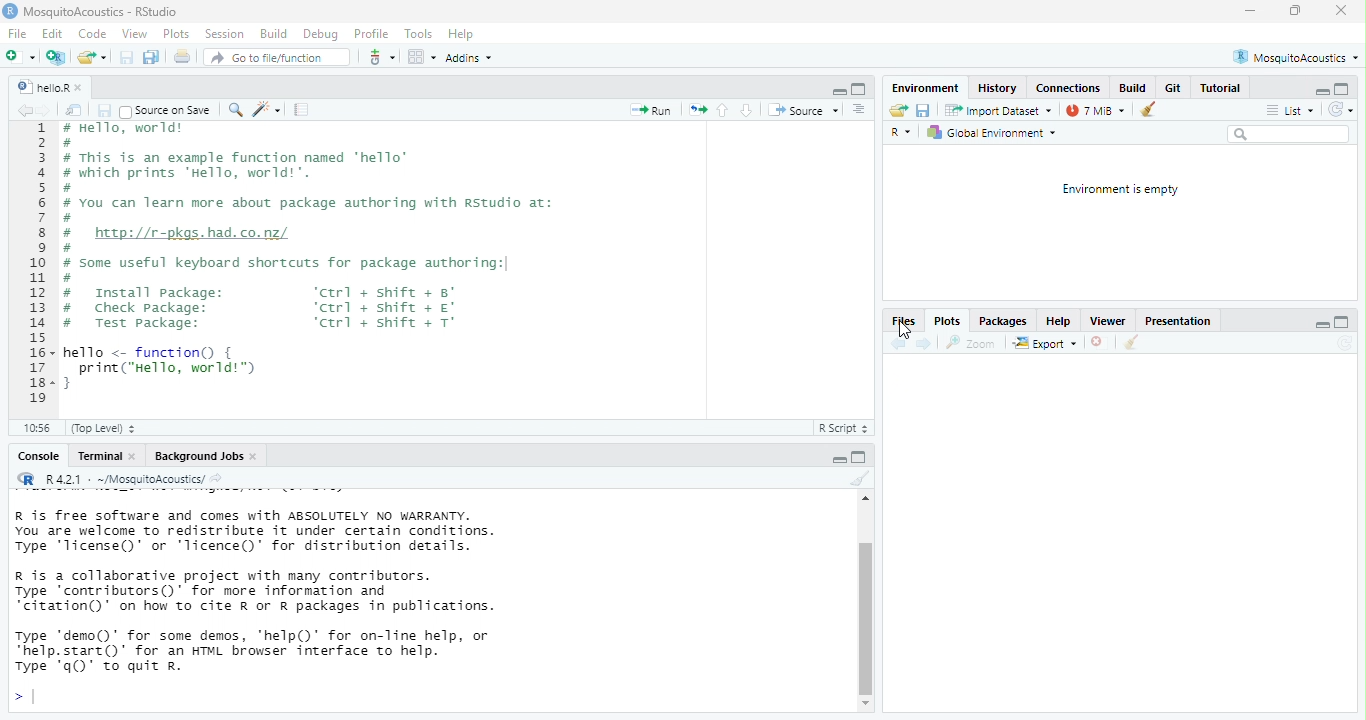 This screenshot has width=1366, height=720. What do you see at coordinates (198, 456) in the screenshot?
I see `‘Background Jobs` at bounding box center [198, 456].